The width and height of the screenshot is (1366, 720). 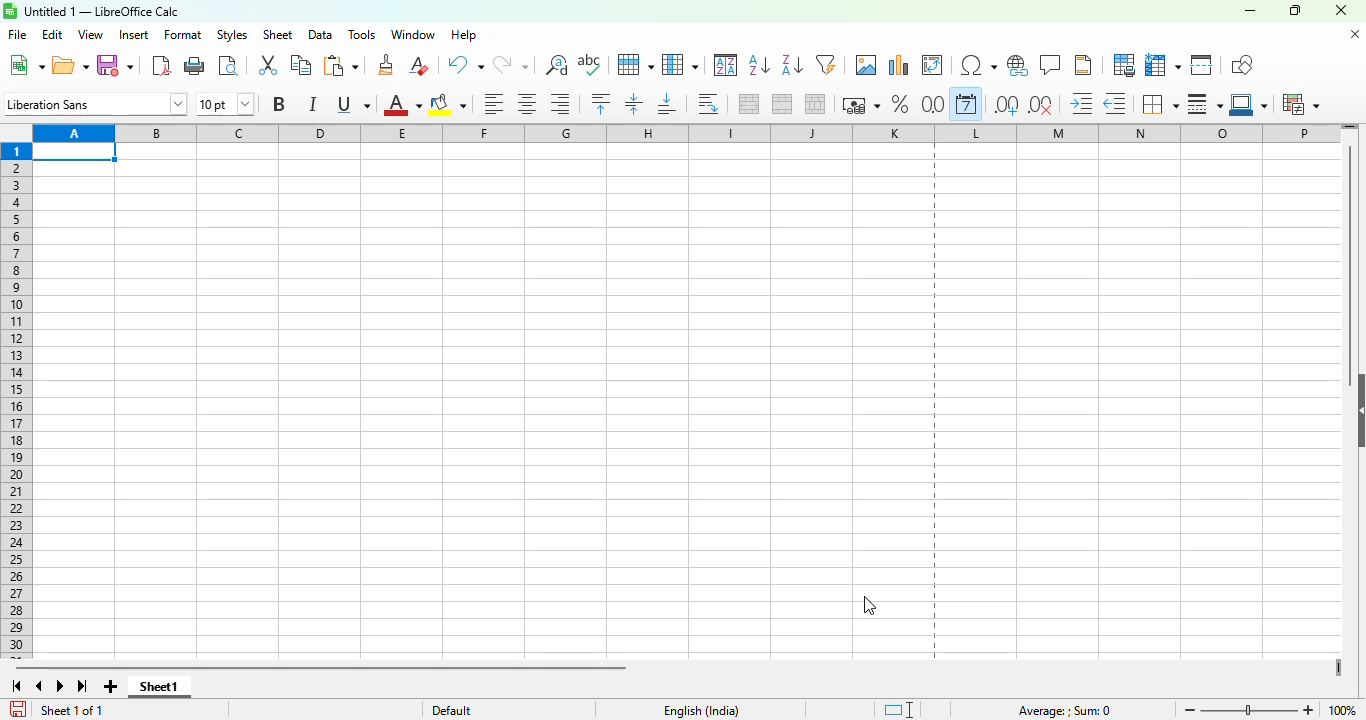 I want to click on rows, so click(x=16, y=401).